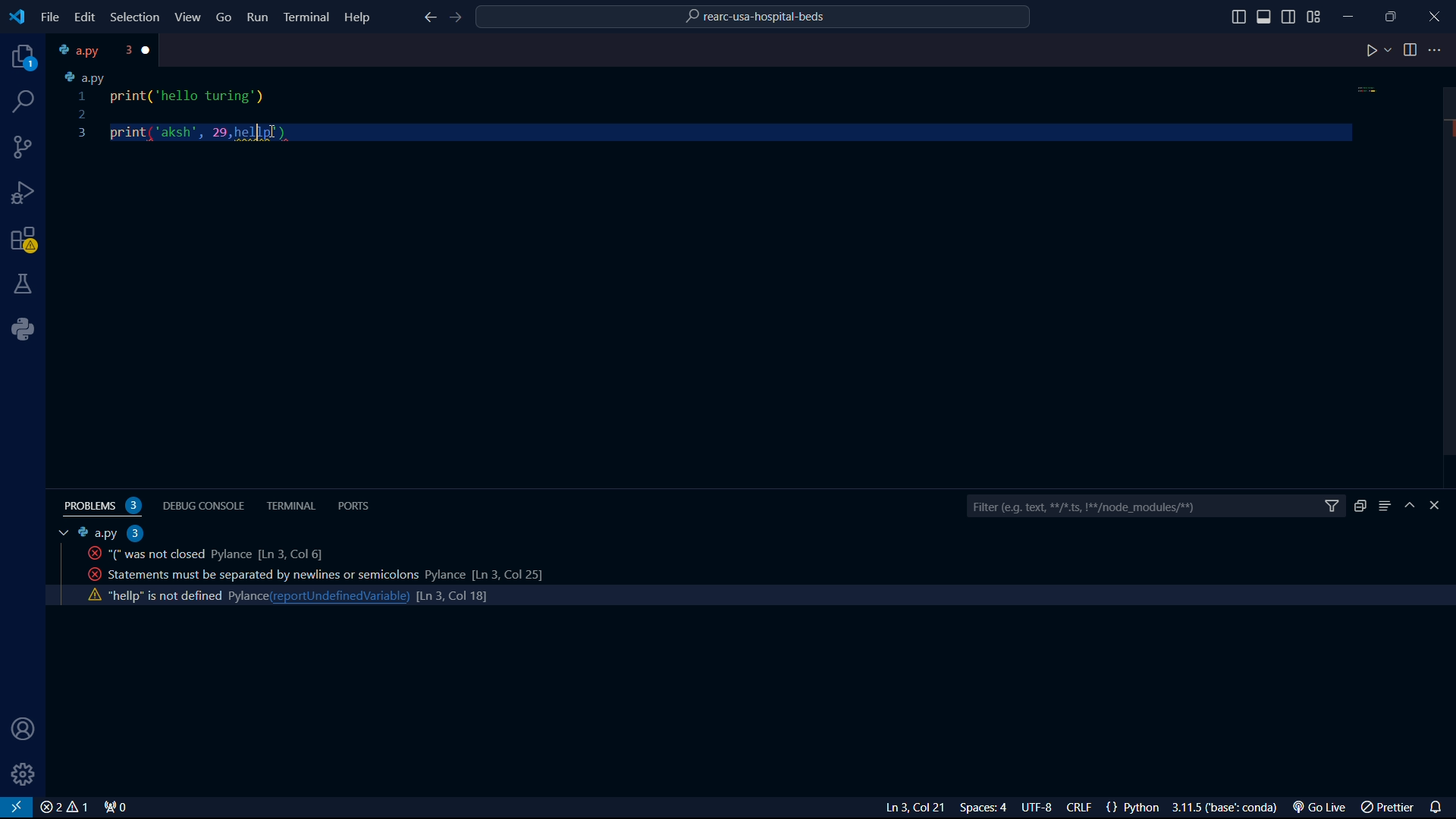 The image size is (1456, 819). I want to click on View, so click(189, 17).